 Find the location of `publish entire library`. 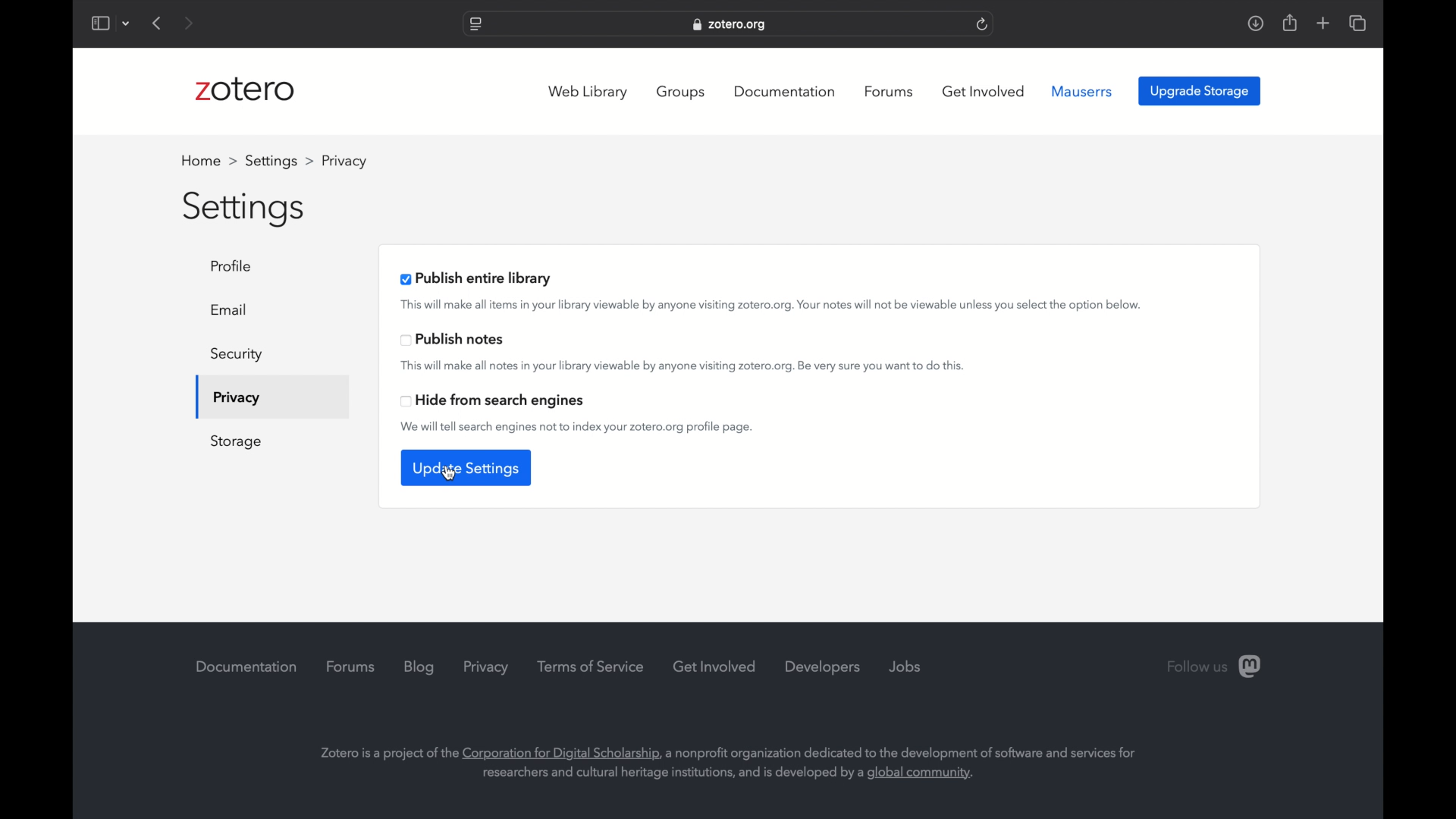

publish entire library is located at coordinates (478, 278).